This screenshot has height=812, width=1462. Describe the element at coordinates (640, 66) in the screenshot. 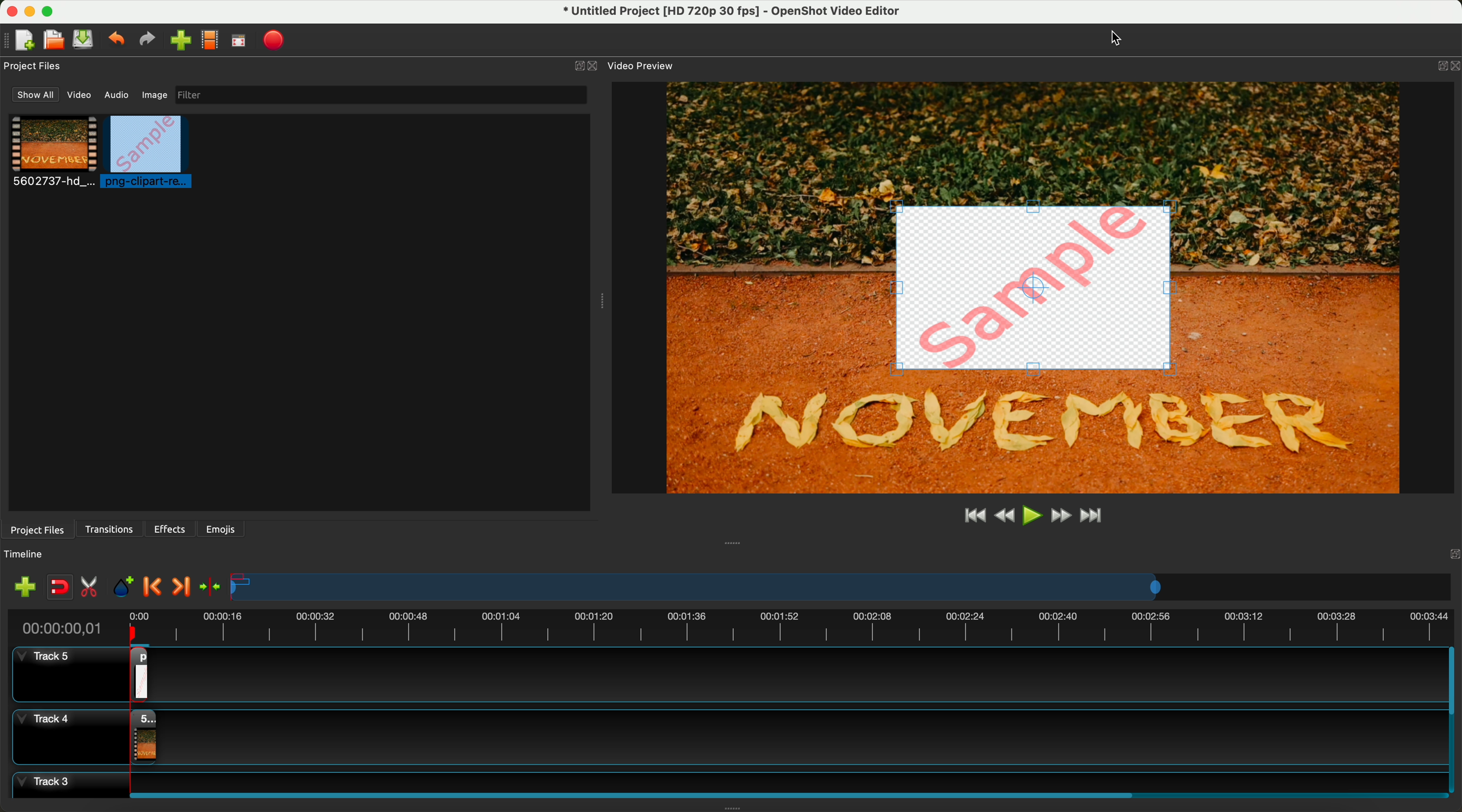

I see `video preview` at that location.